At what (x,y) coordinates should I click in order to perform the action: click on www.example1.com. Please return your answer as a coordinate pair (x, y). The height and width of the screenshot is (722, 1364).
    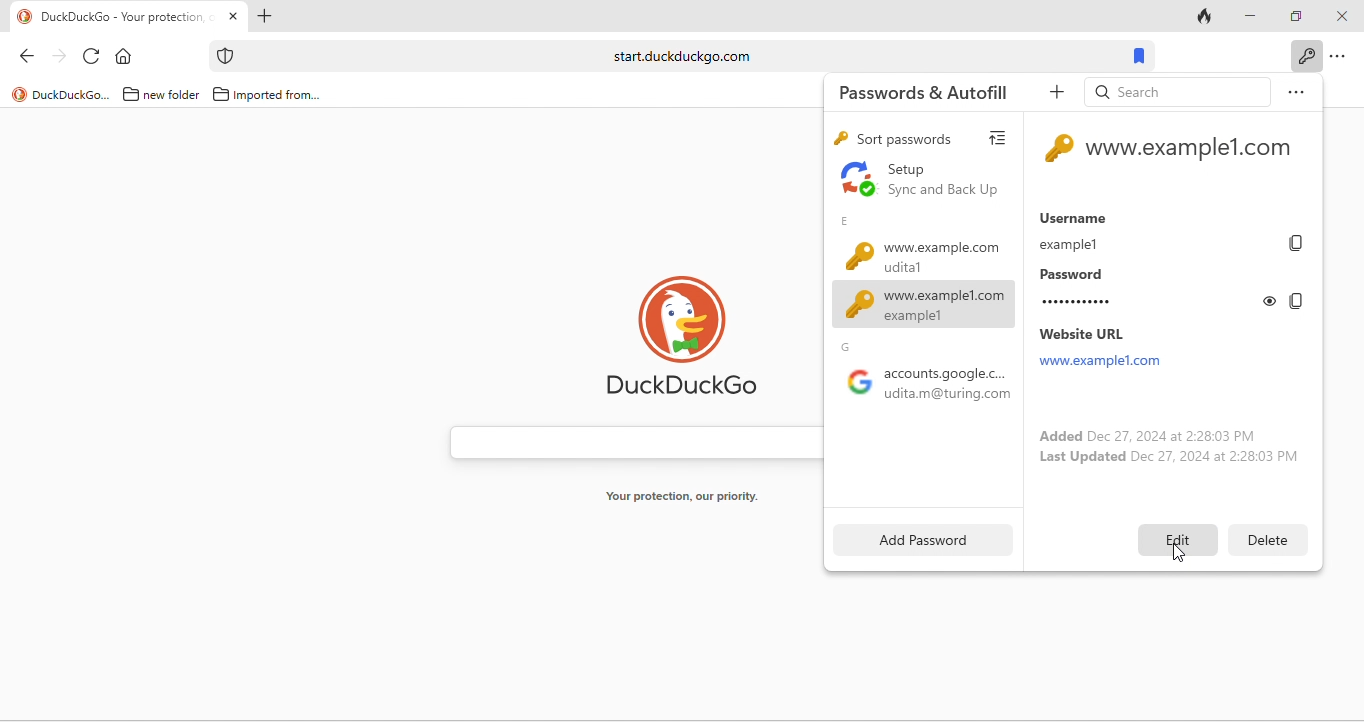
    Looking at the image, I should click on (1097, 363).